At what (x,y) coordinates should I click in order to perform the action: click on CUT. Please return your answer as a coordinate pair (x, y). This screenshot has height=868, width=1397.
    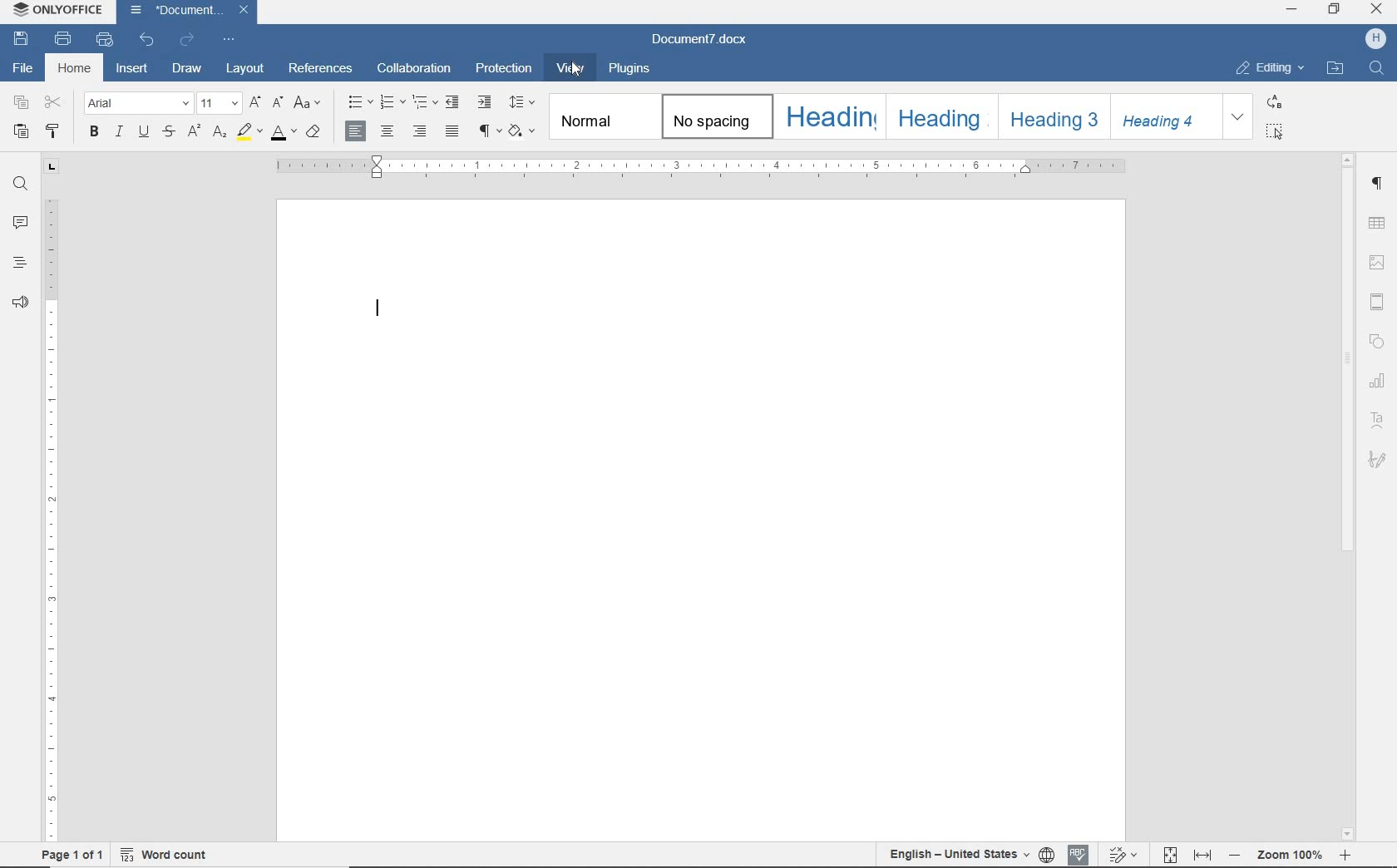
    Looking at the image, I should click on (56, 102).